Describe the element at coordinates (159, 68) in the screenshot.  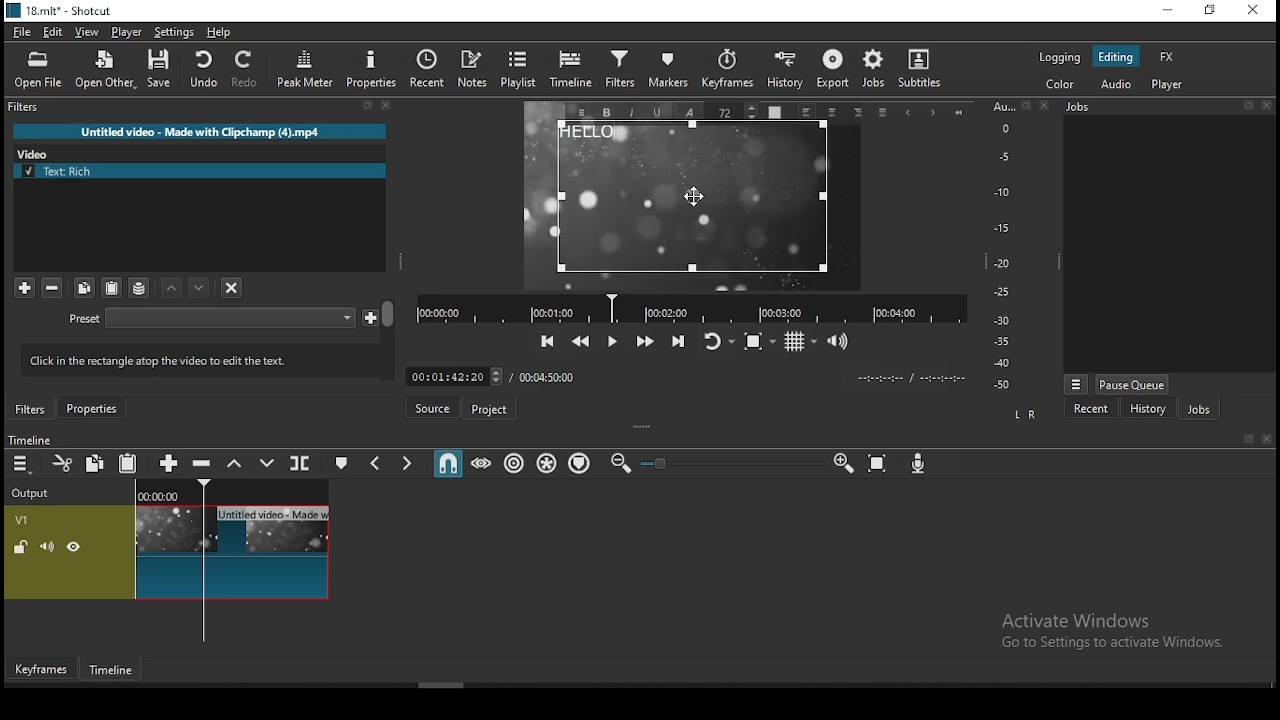
I see `save` at that location.